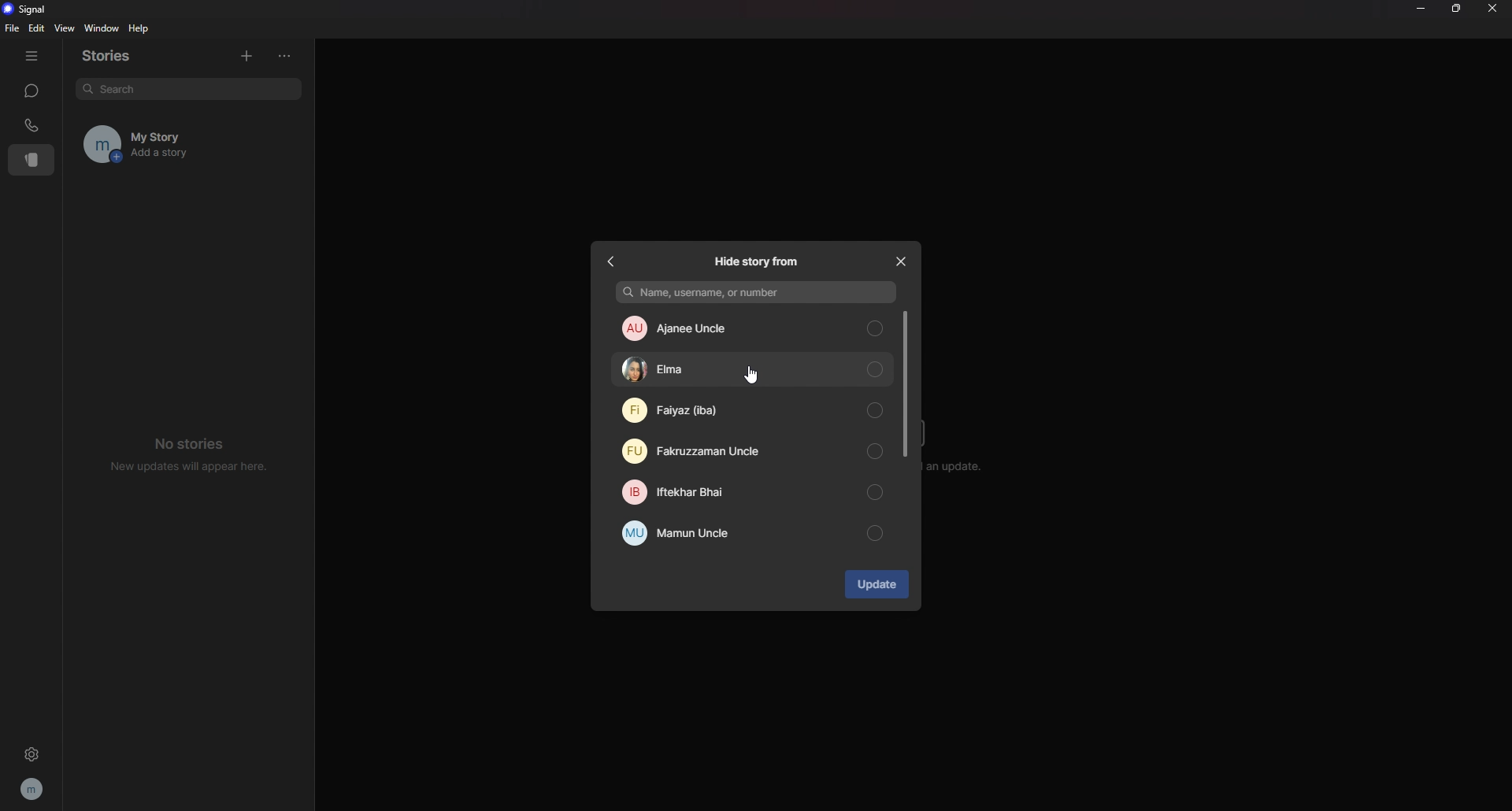 This screenshot has width=1512, height=811. I want to click on close, so click(1492, 7).